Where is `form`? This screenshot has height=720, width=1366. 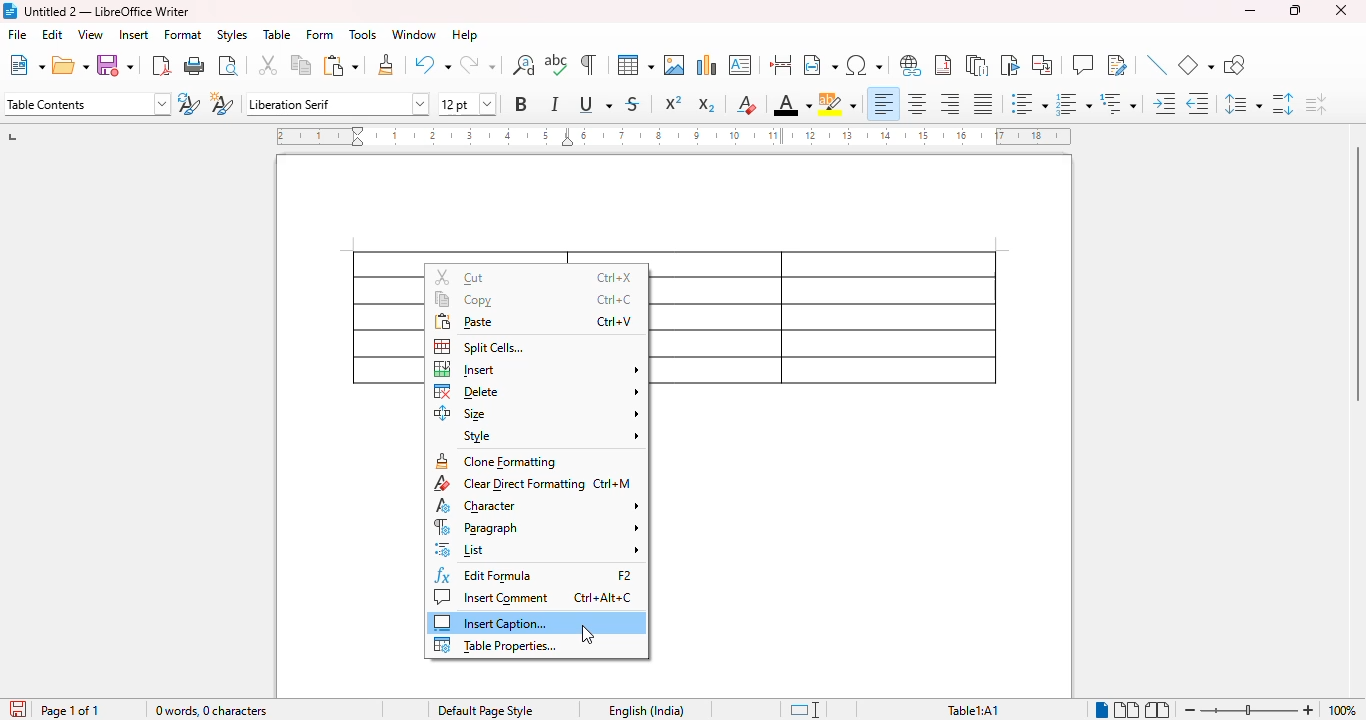
form is located at coordinates (319, 34).